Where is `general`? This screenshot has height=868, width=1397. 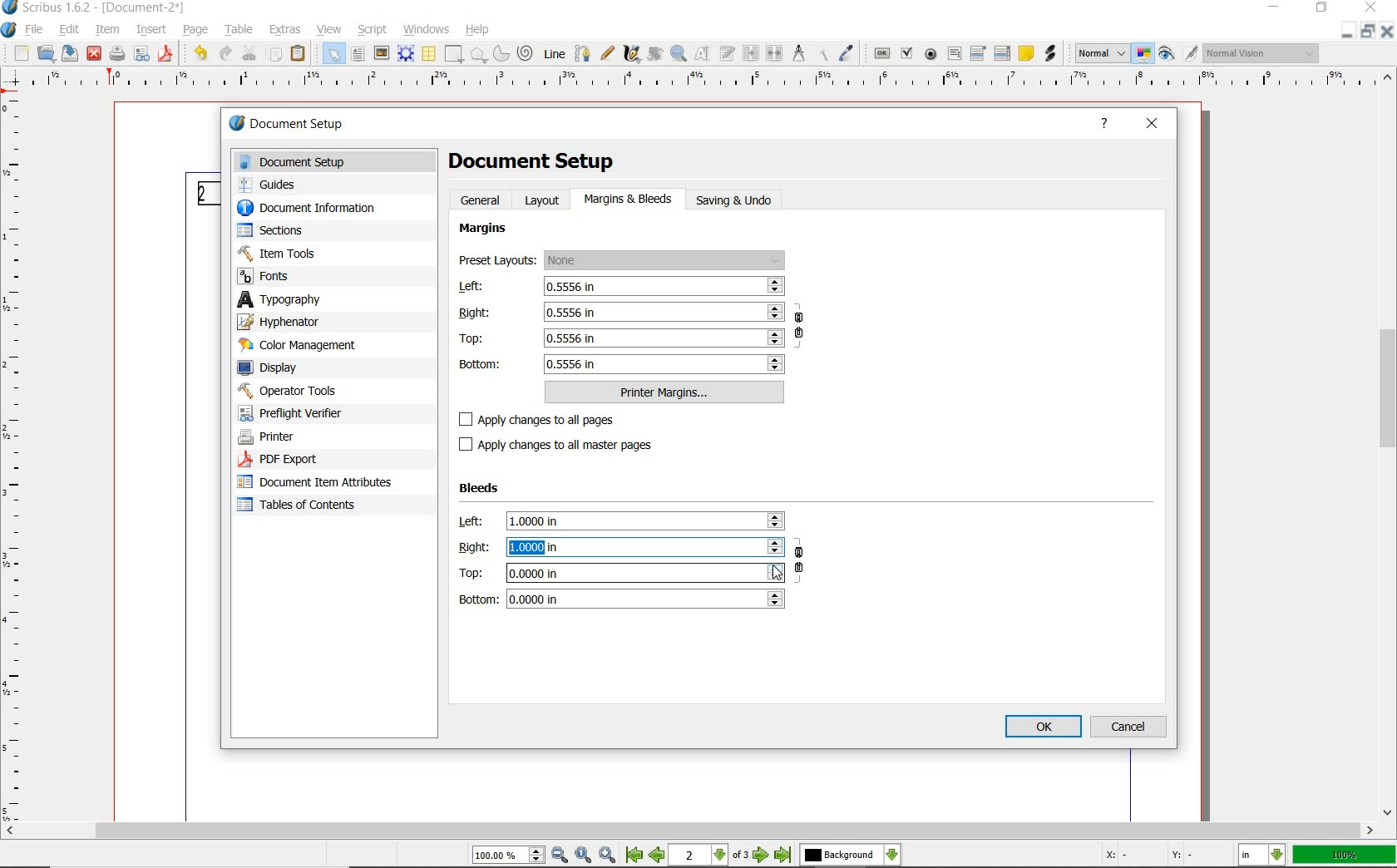 general is located at coordinates (481, 200).